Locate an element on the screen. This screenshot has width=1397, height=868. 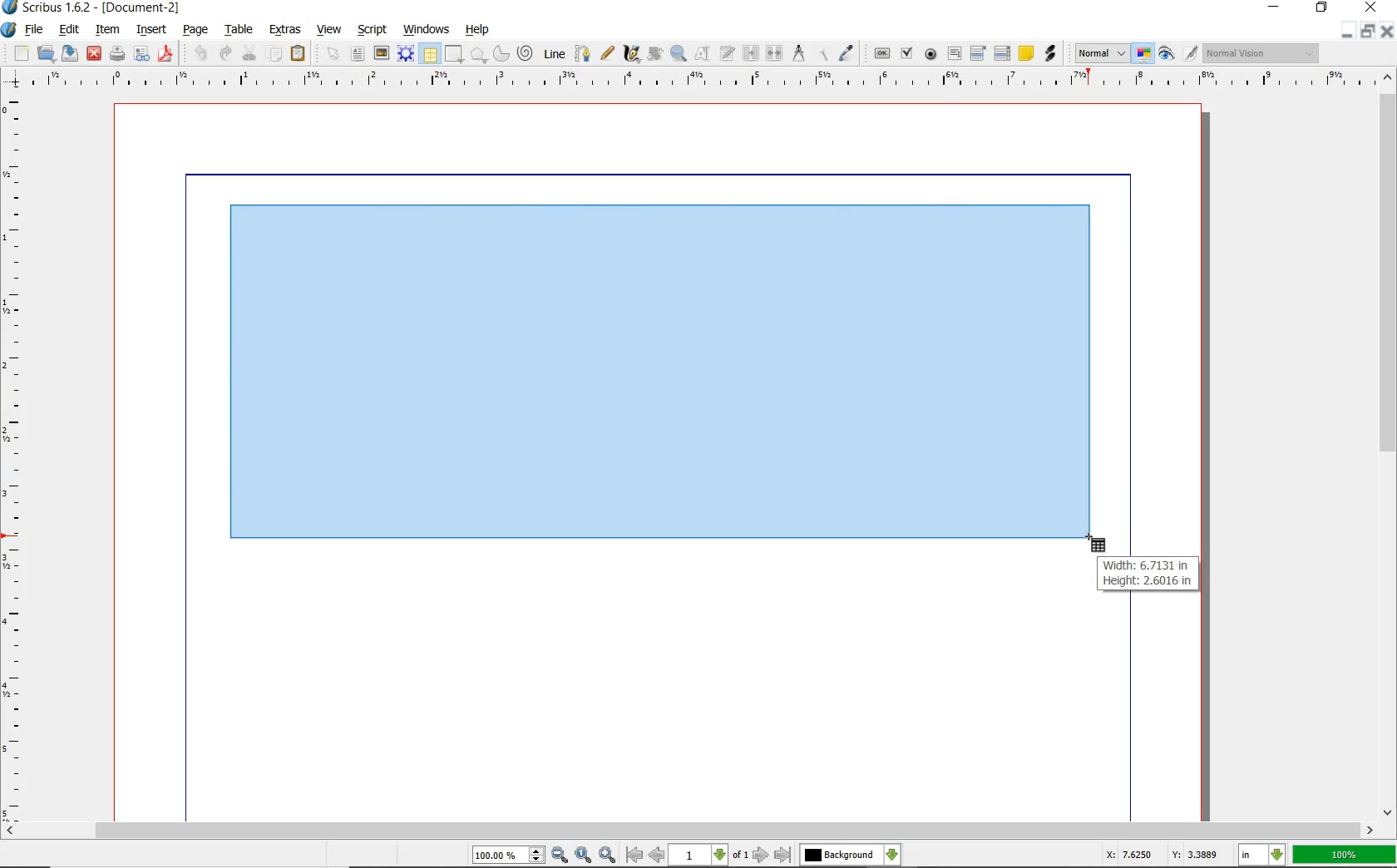
system logo is located at coordinates (11, 28).